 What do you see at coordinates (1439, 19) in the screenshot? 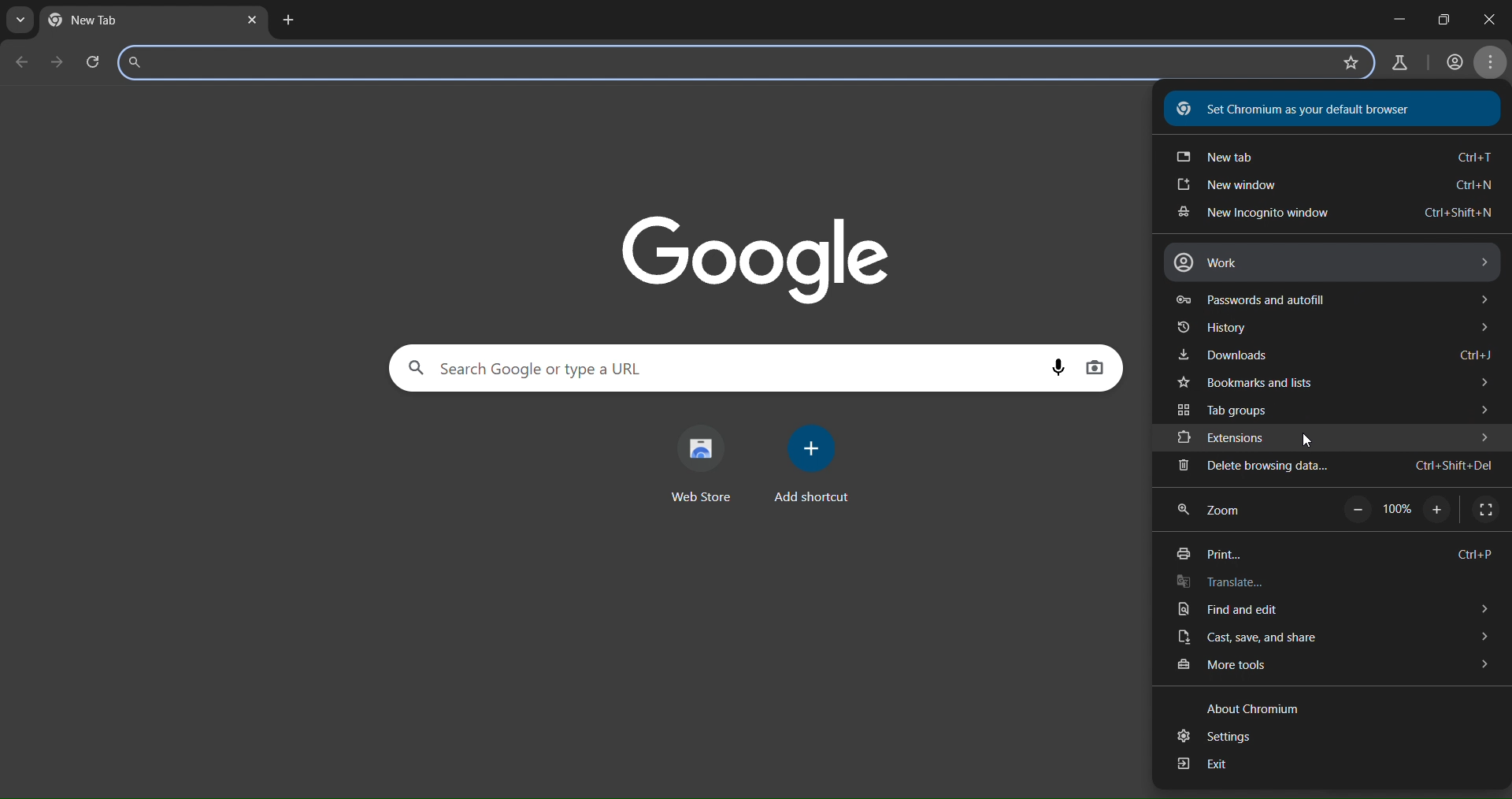
I see `maximize` at bounding box center [1439, 19].